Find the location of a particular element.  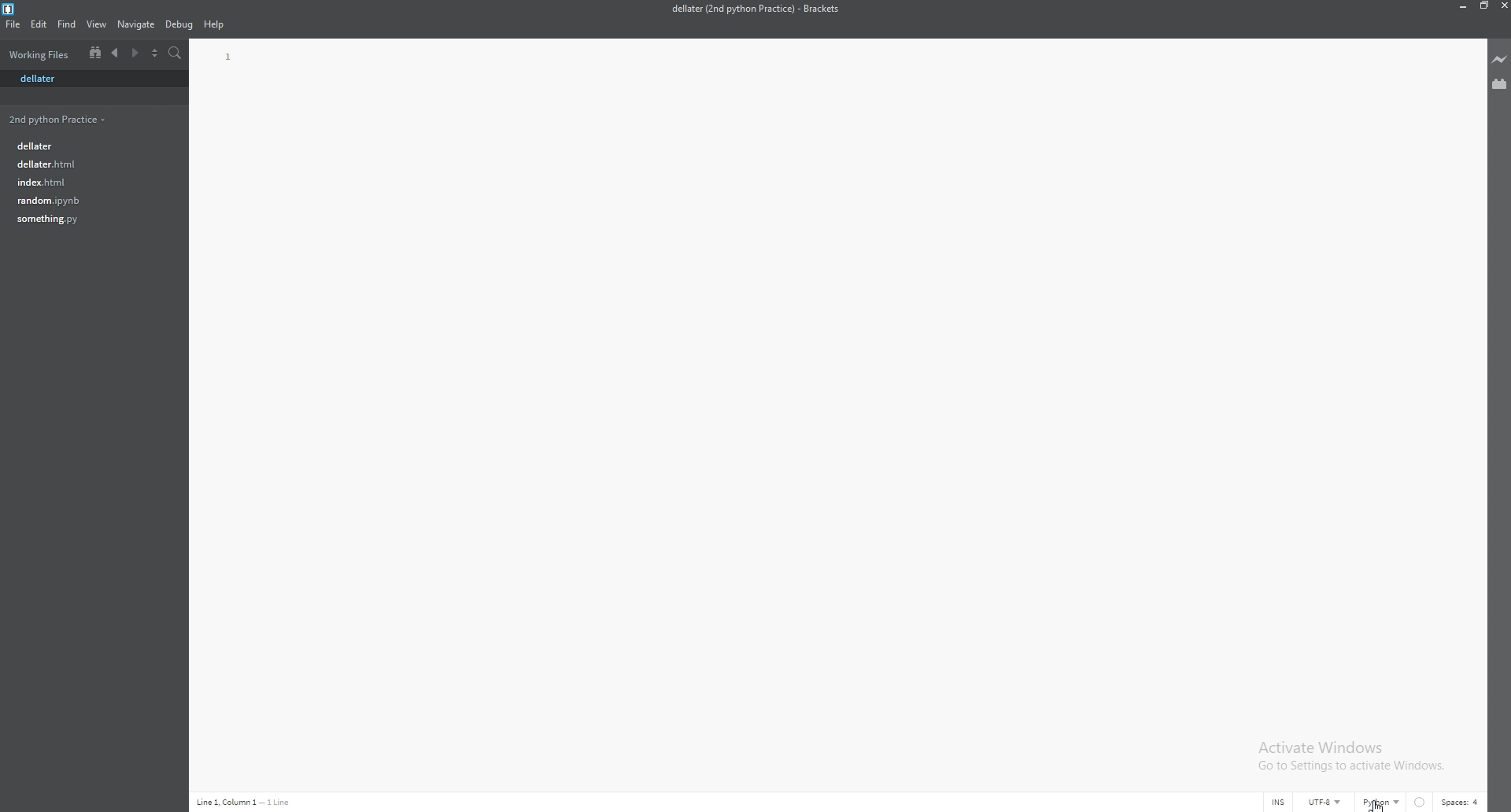

next is located at coordinates (134, 54).